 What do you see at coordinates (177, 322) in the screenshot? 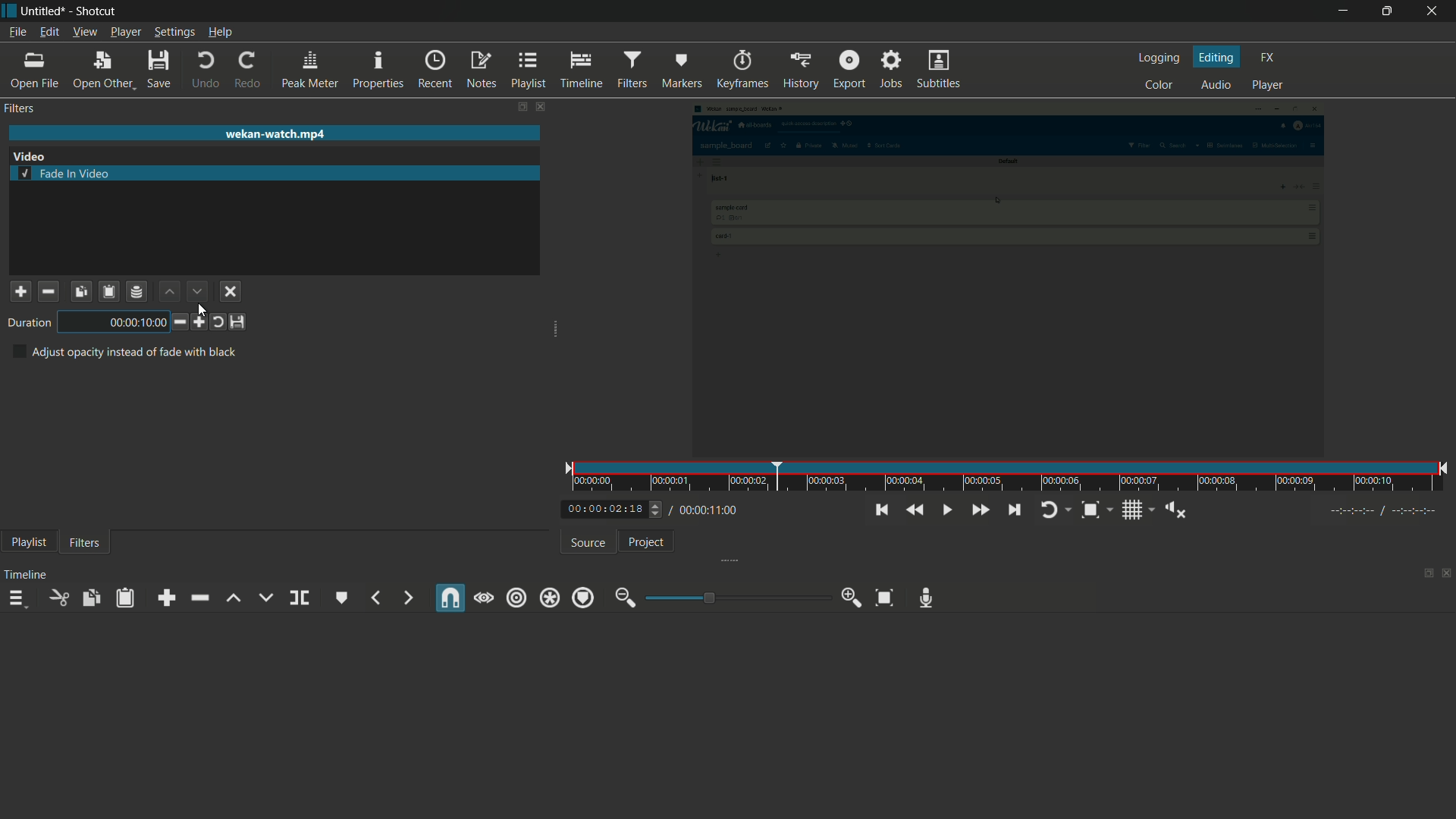
I see `decrement` at bounding box center [177, 322].